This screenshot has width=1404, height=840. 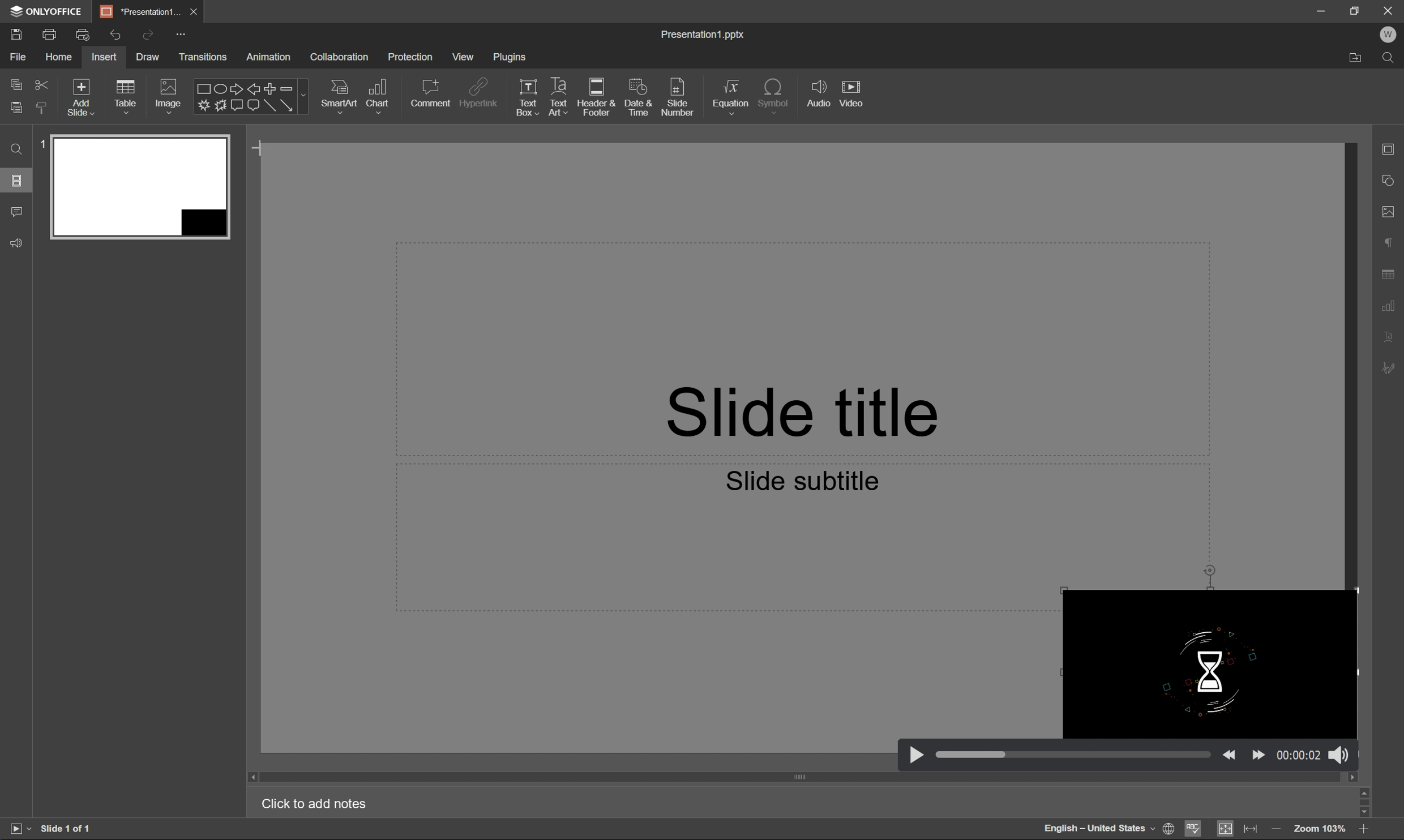 I want to click on comment, so click(x=431, y=94).